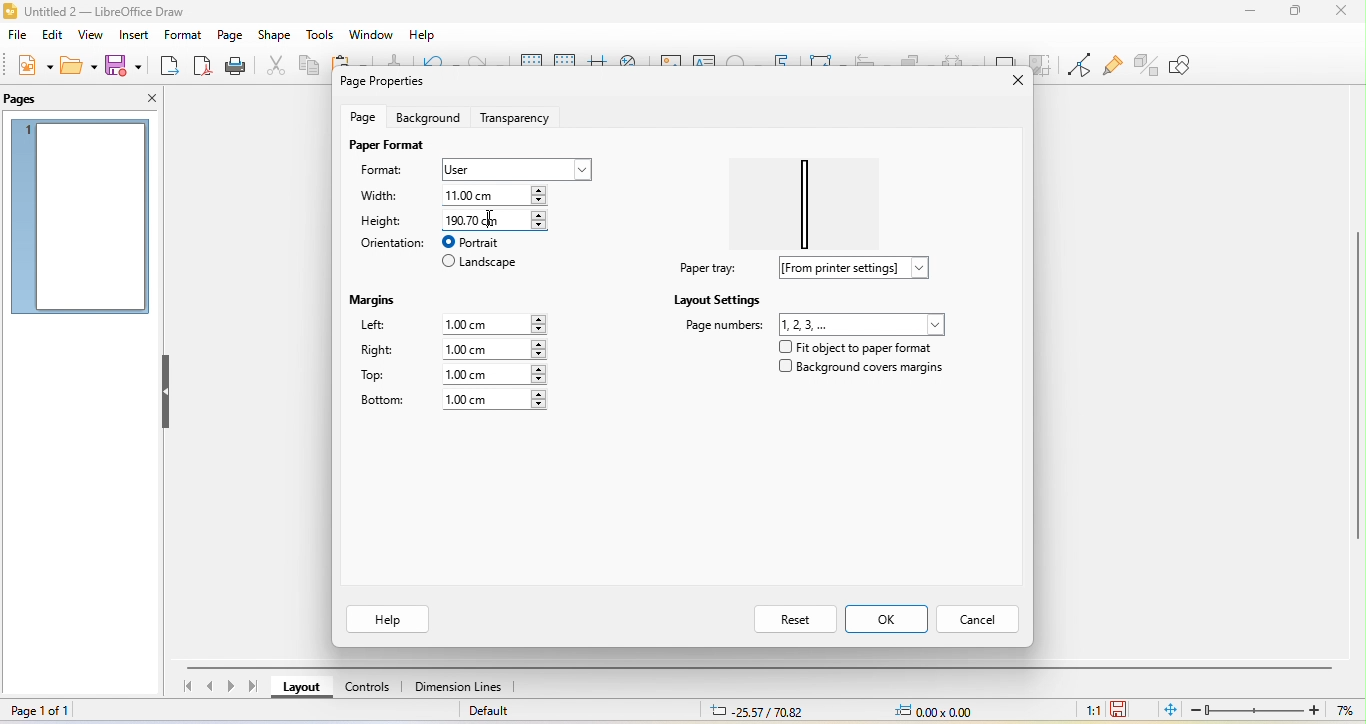 This screenshot has height=724, width=1366. What do you see at coordinates (1294, 12) in the screenshot?
I see `maximize` at bounding box center [1294, 12].